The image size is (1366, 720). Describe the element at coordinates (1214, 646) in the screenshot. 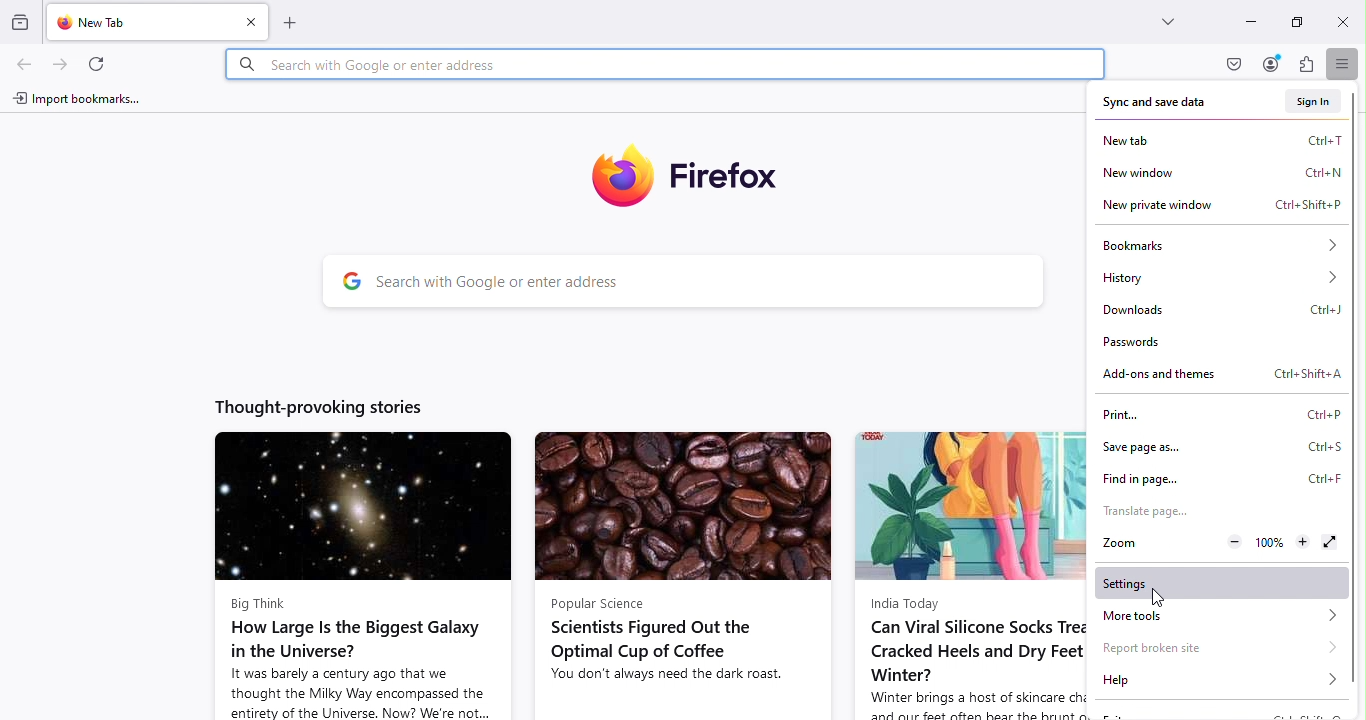

I see `Report broken site` at that location.